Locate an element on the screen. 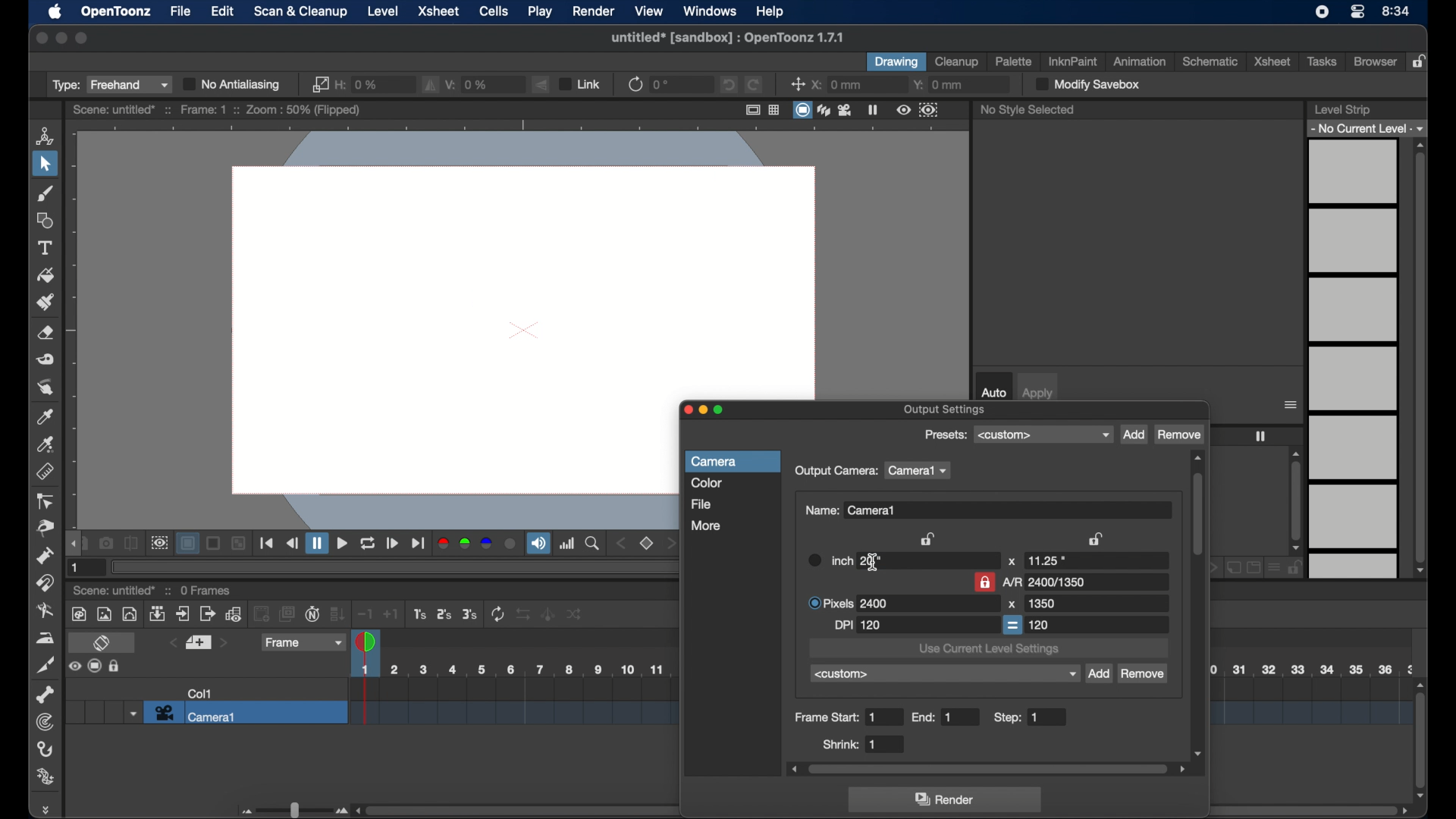  equal to is located at coordinates (1013, 625).